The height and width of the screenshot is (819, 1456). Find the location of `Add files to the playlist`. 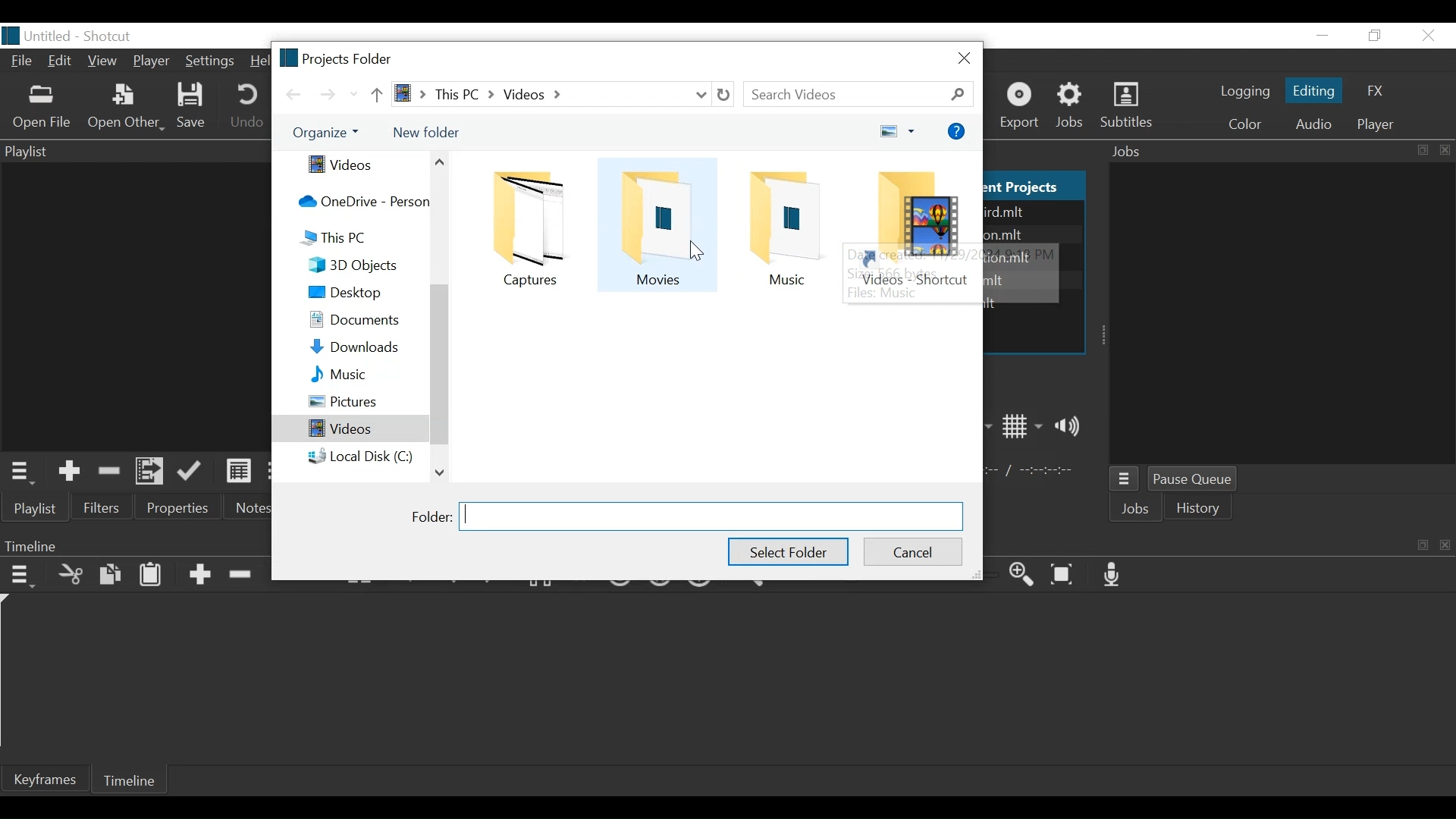

Add files to the playlist is located at coordinates (152, 472).